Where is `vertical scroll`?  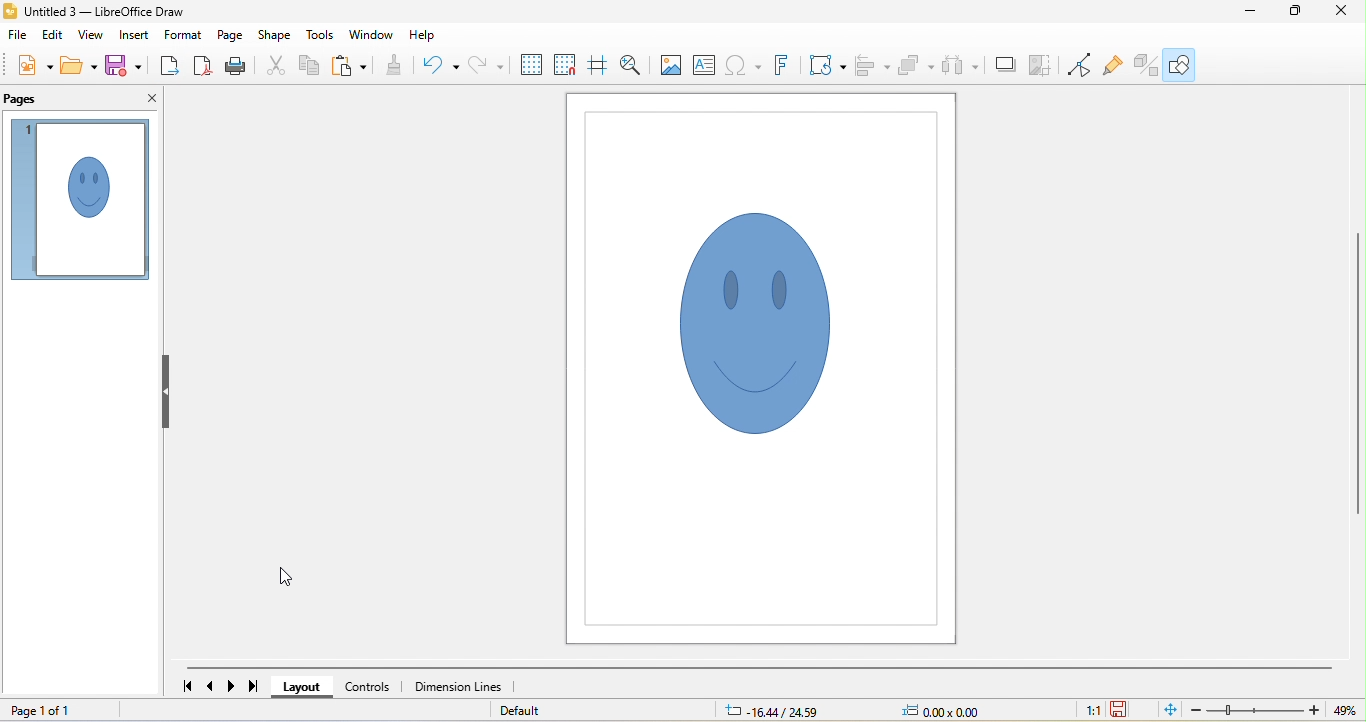
vertical scroll is located at coordinates (1351, 380).